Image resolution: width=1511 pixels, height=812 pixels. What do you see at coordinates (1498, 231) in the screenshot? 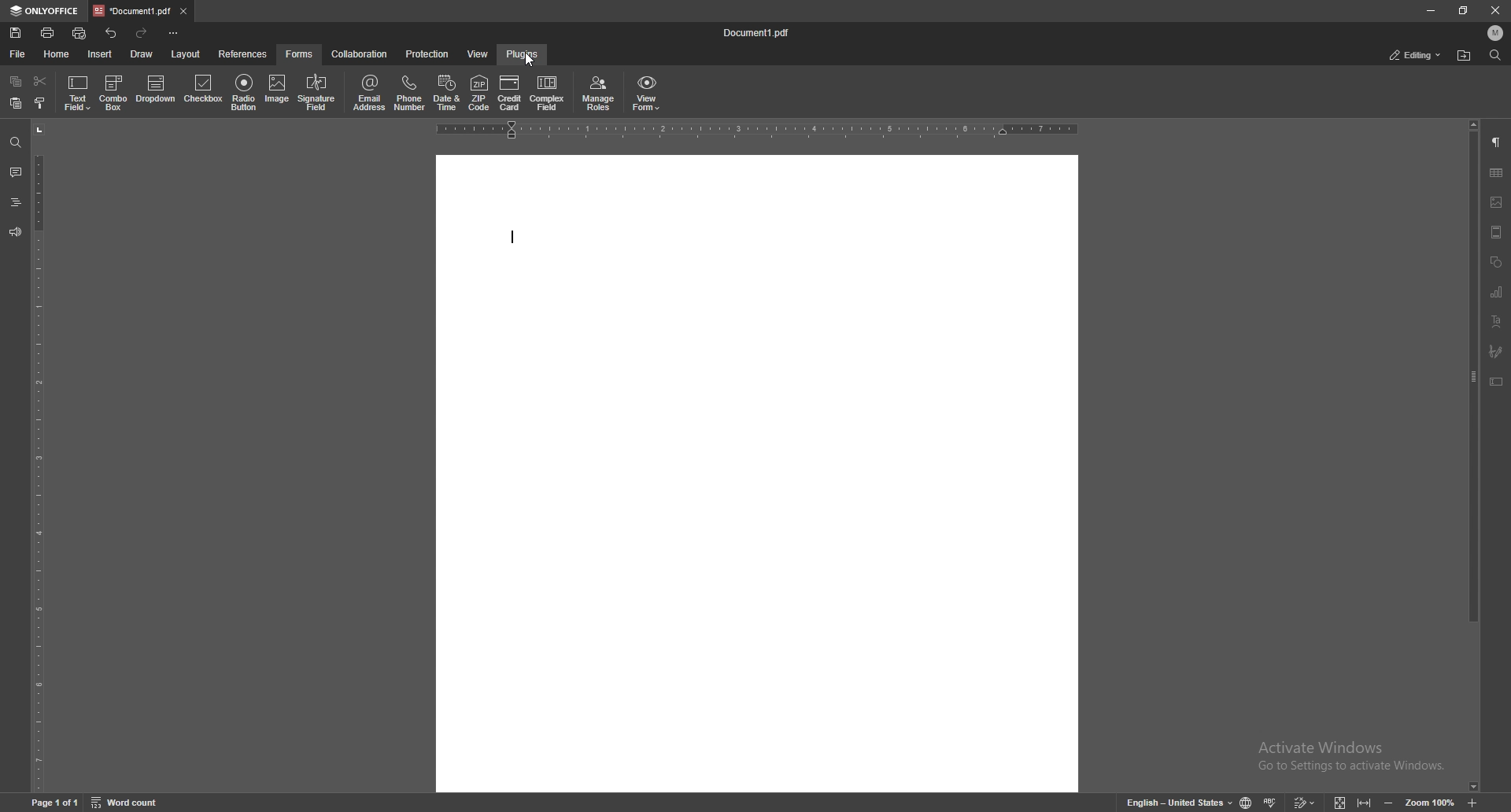
I see `header and footer` at bounding box center [1498, 231].